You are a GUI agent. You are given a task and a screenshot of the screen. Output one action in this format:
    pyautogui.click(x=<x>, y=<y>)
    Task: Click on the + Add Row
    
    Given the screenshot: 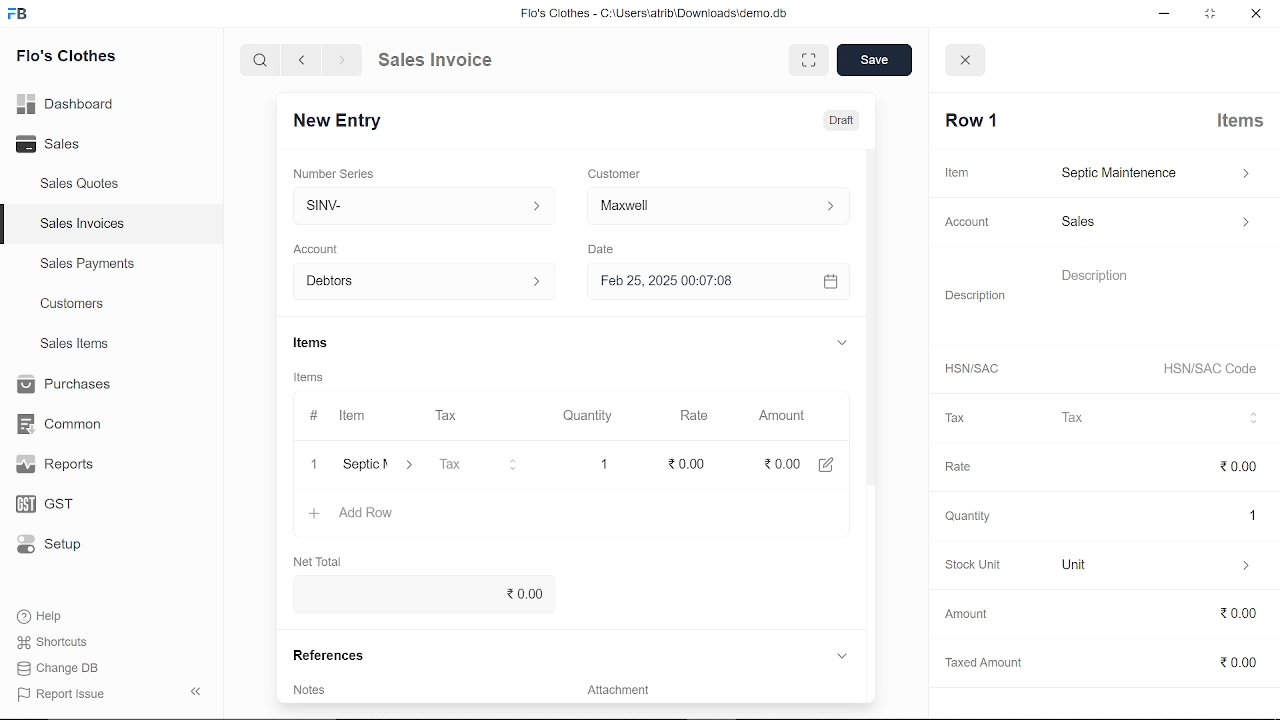 What is the action you would take?
    pyautogui.click(x=357, y=514)
    